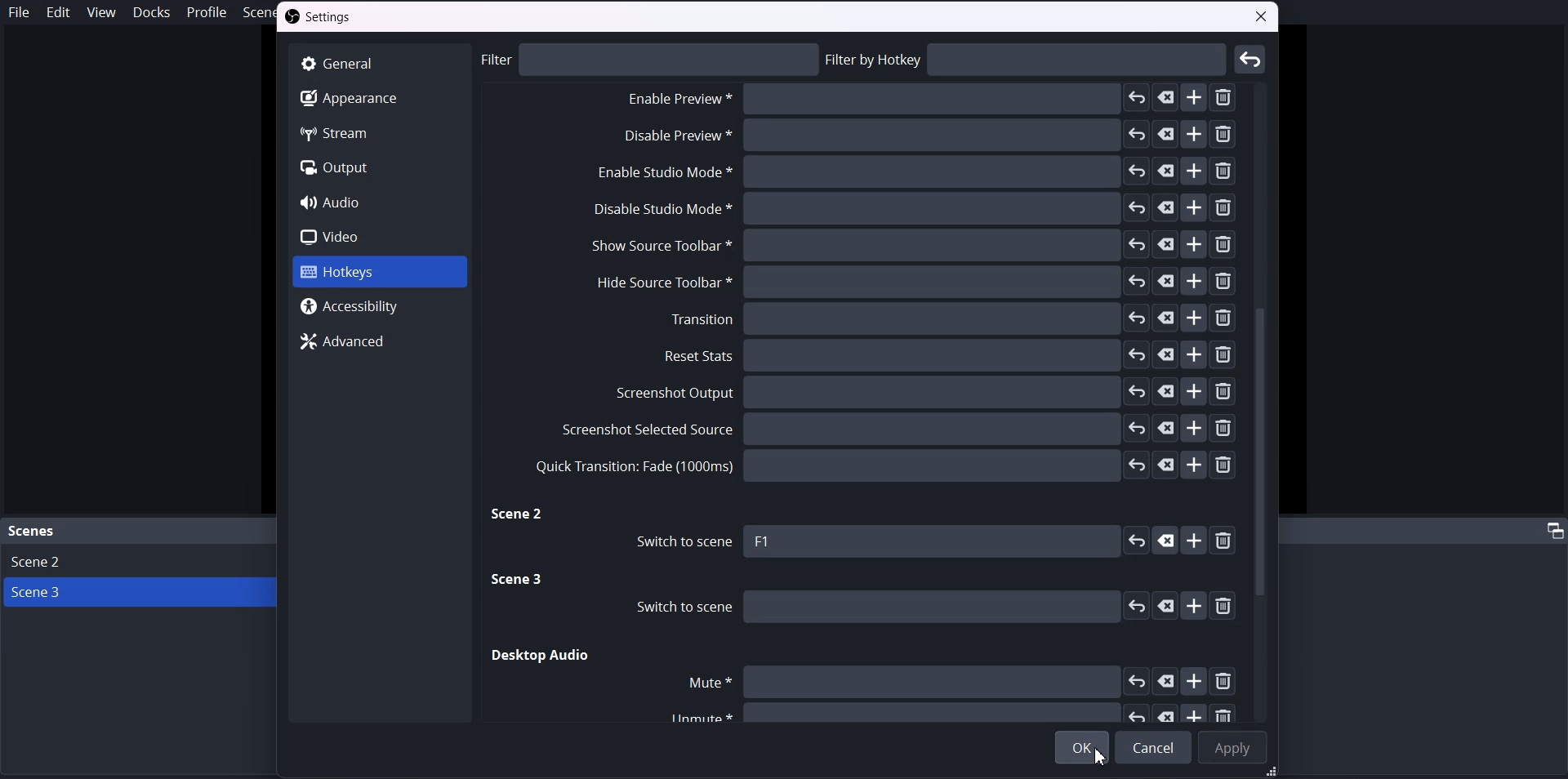  I want to click on Transition, so click(951, 318).